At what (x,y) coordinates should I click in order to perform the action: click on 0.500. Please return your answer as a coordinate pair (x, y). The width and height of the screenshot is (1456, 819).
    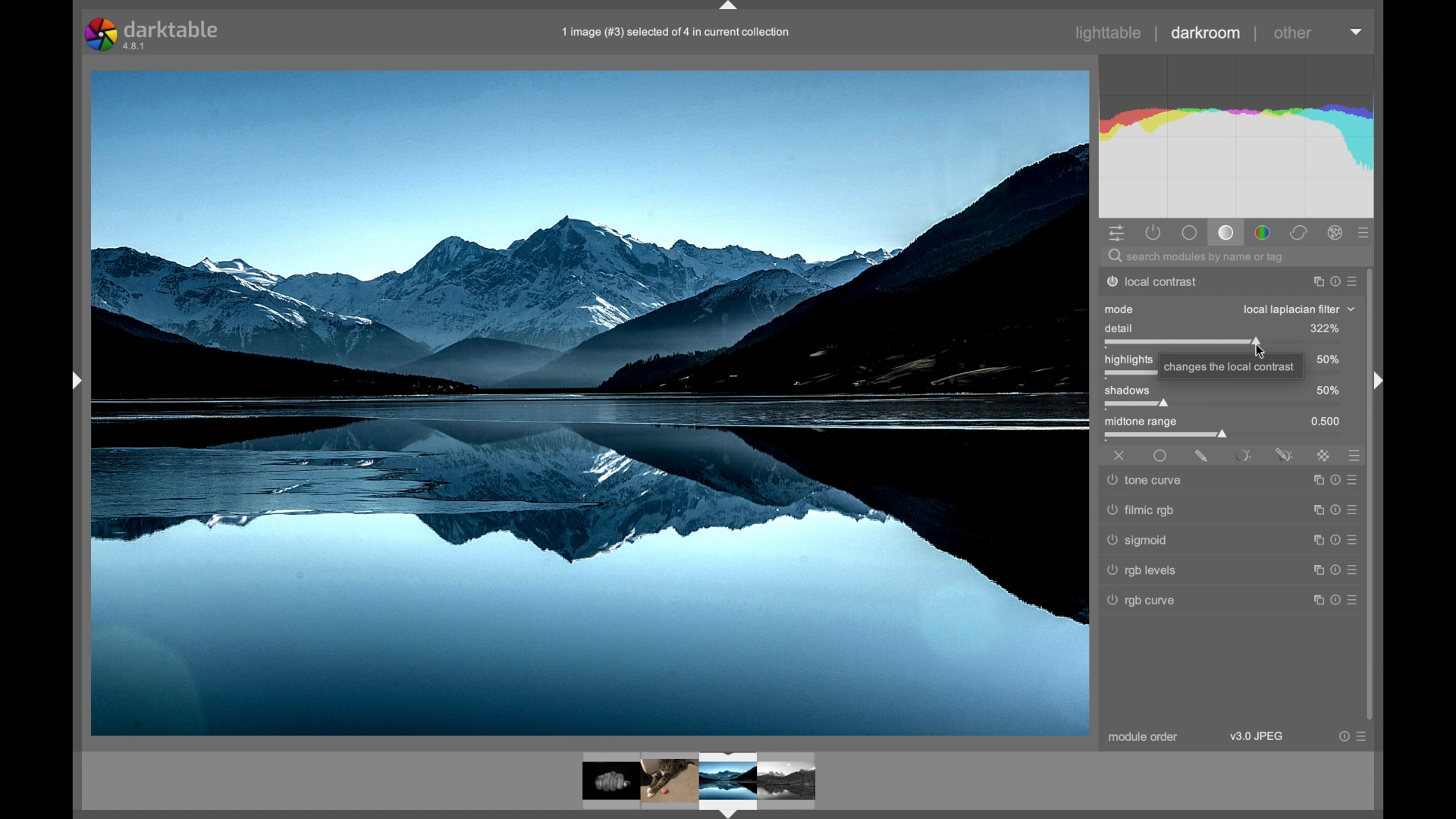
    Looking at the image, I should click on (1327, 422).